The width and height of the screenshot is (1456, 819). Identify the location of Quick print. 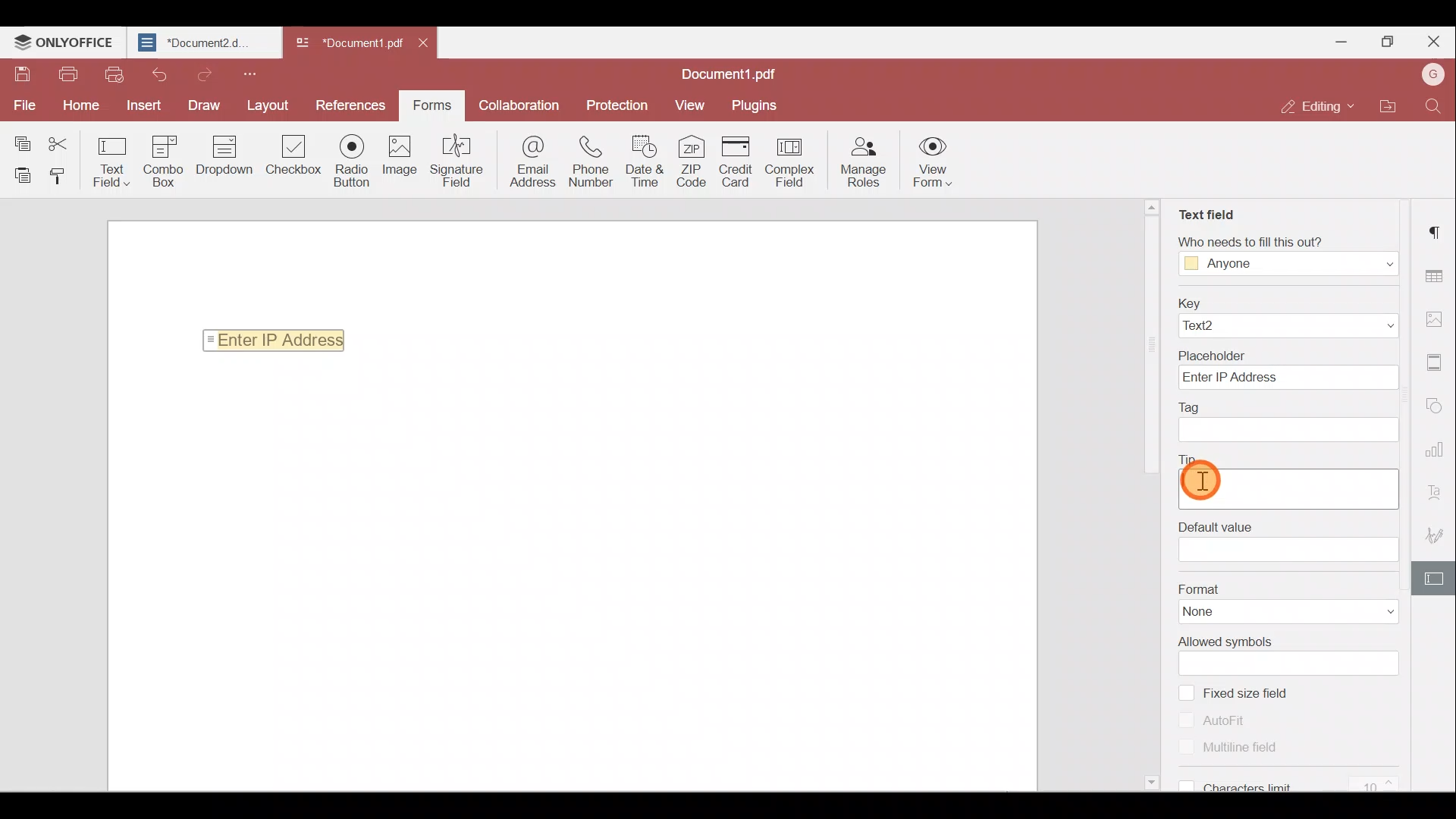
(115, 76).